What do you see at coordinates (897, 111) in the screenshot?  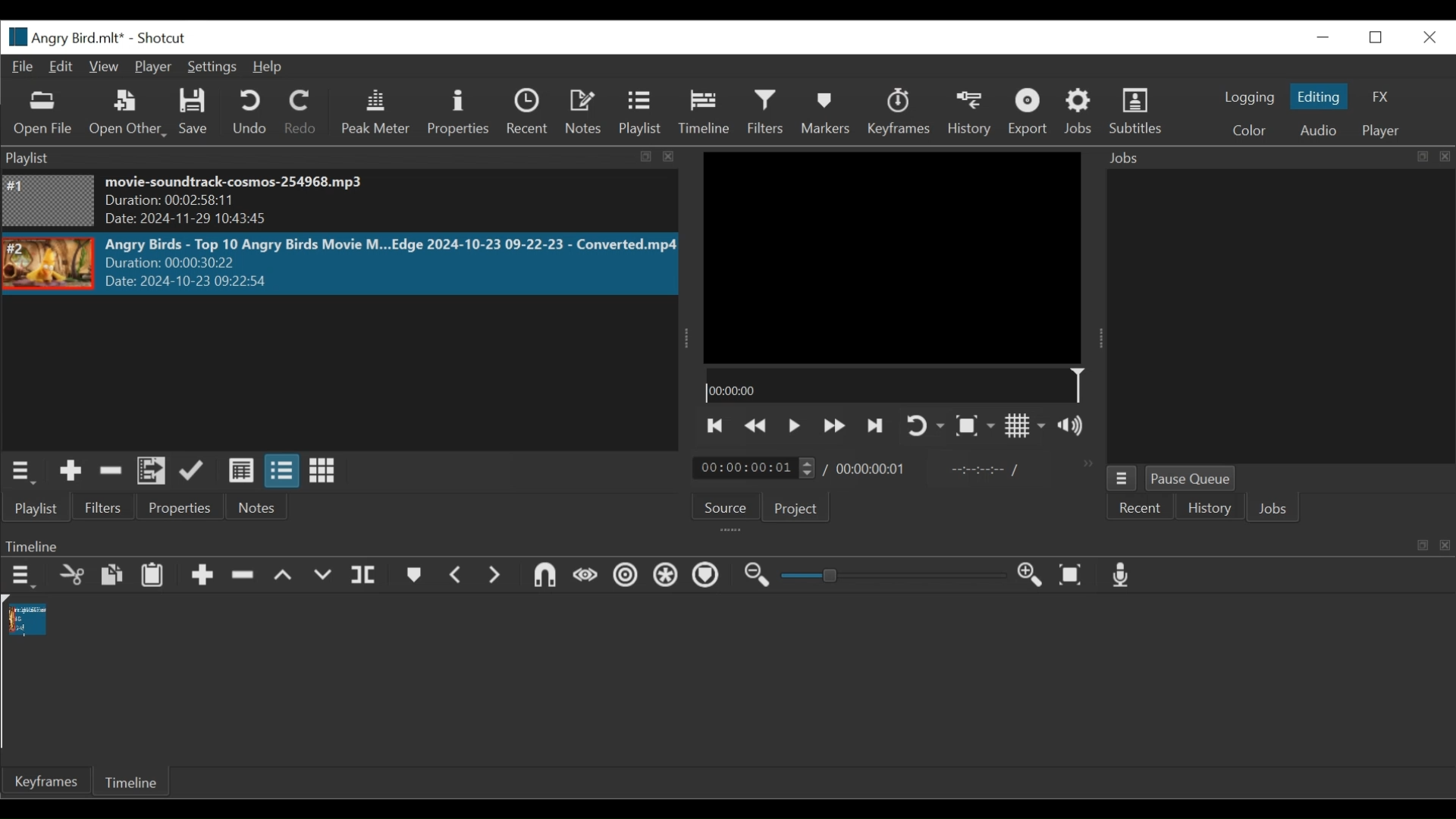 I see `Keyframes` at bounding box center [897, 111].